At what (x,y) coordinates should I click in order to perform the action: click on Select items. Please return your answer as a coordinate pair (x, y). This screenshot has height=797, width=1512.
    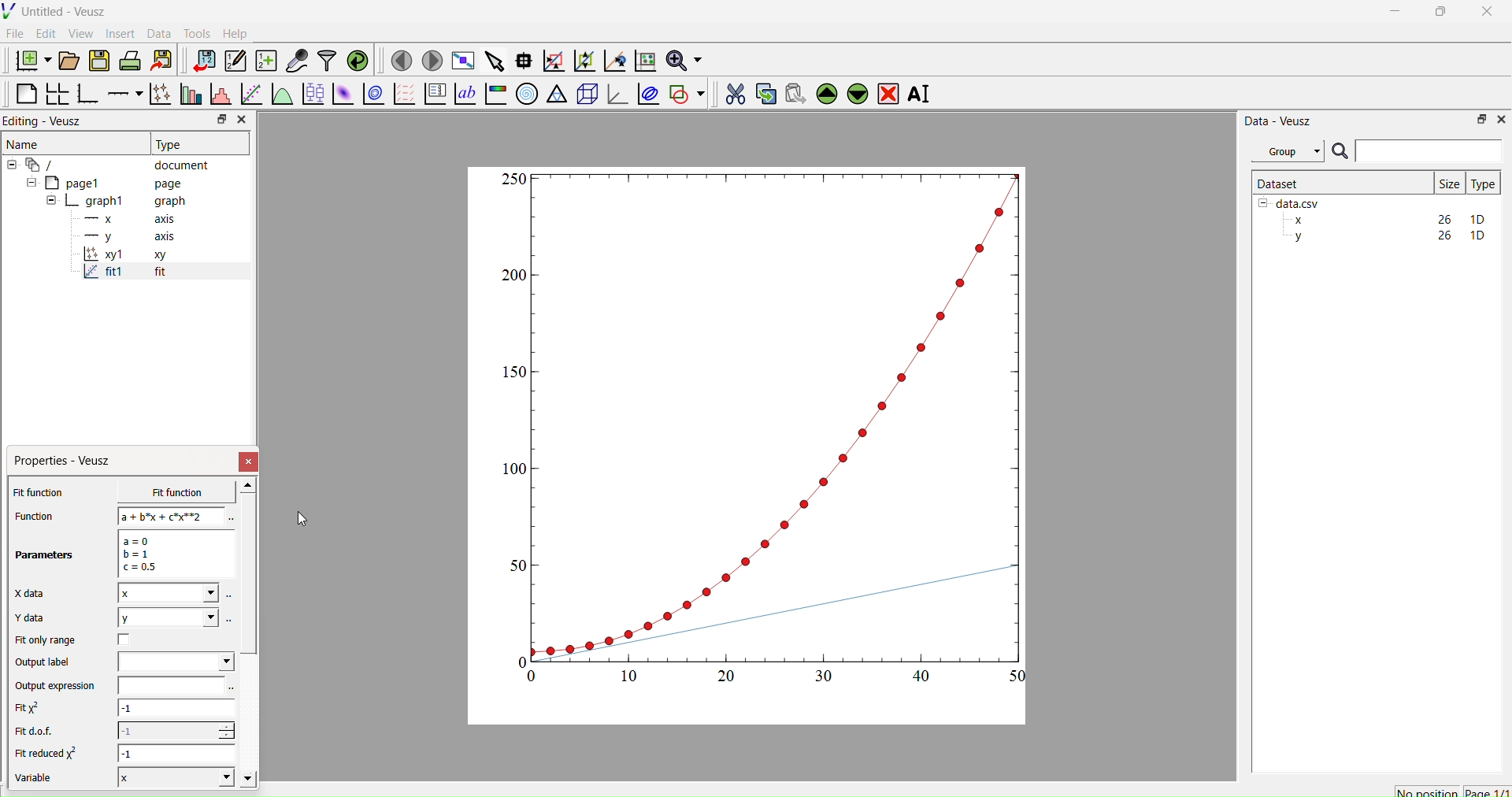
    Looking at the image, I should click on (493, 61).